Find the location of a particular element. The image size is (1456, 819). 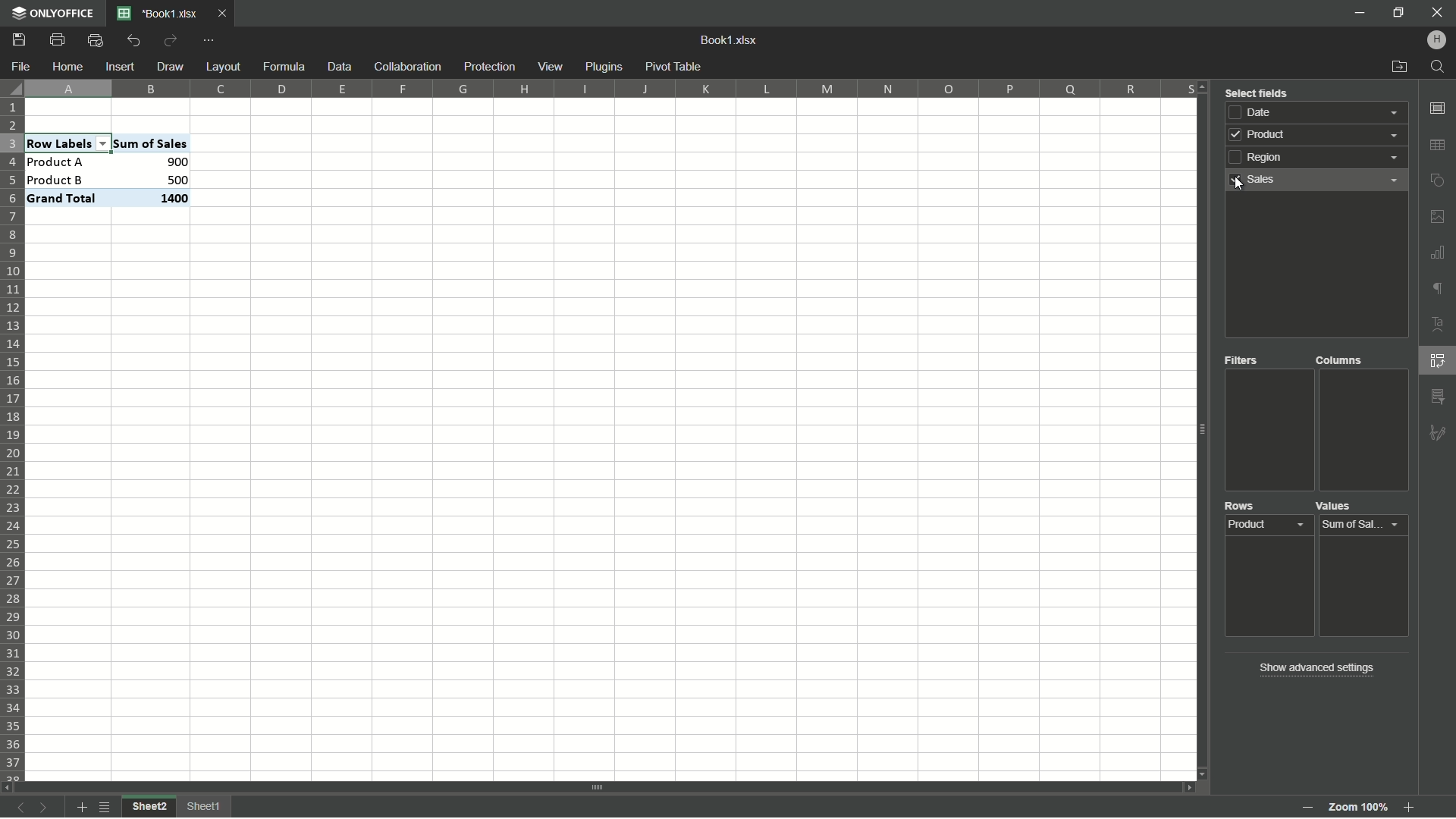

scroll right is located at coordinates (1183, 787).